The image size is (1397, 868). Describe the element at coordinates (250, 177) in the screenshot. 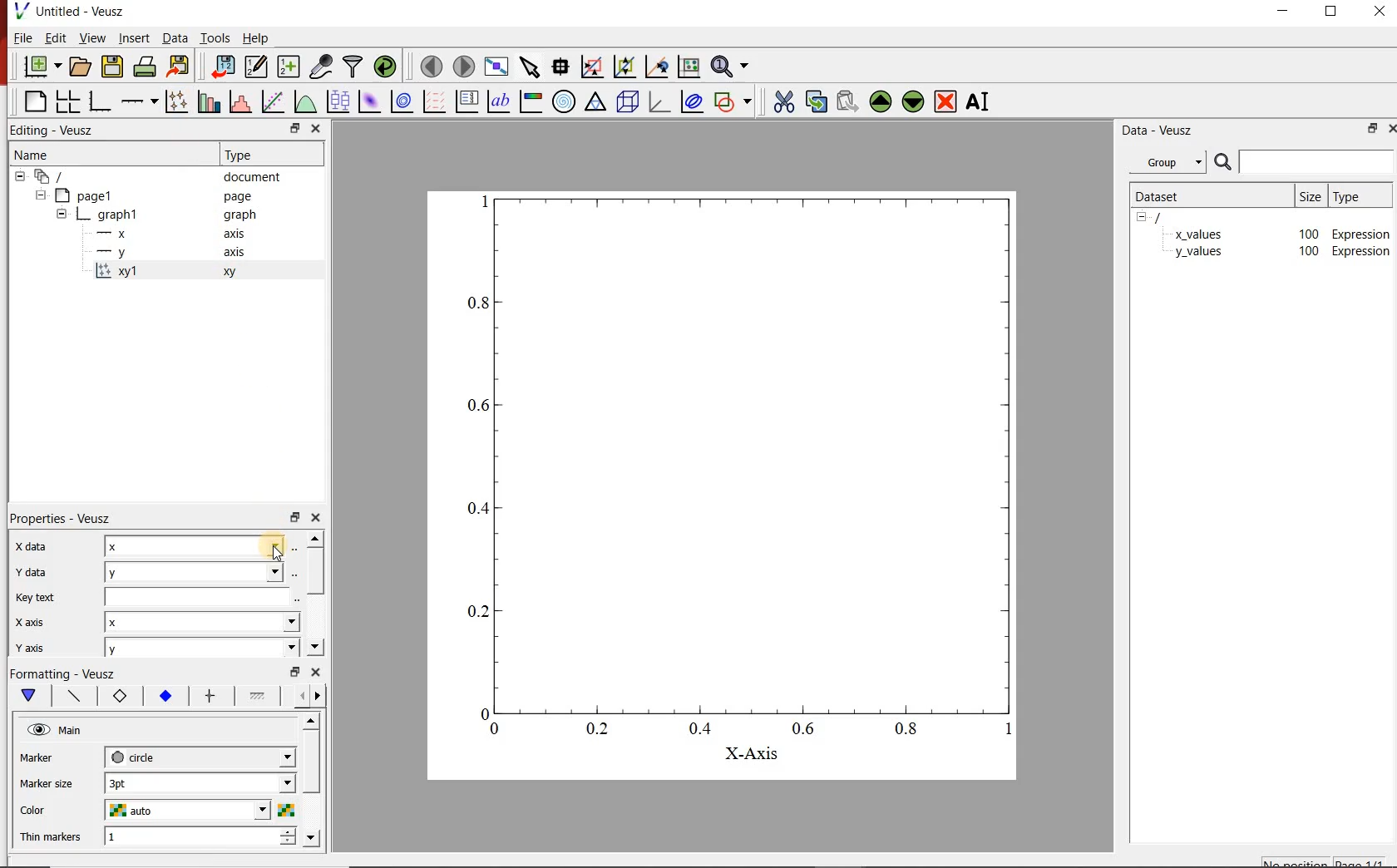

I see `document` at that location.